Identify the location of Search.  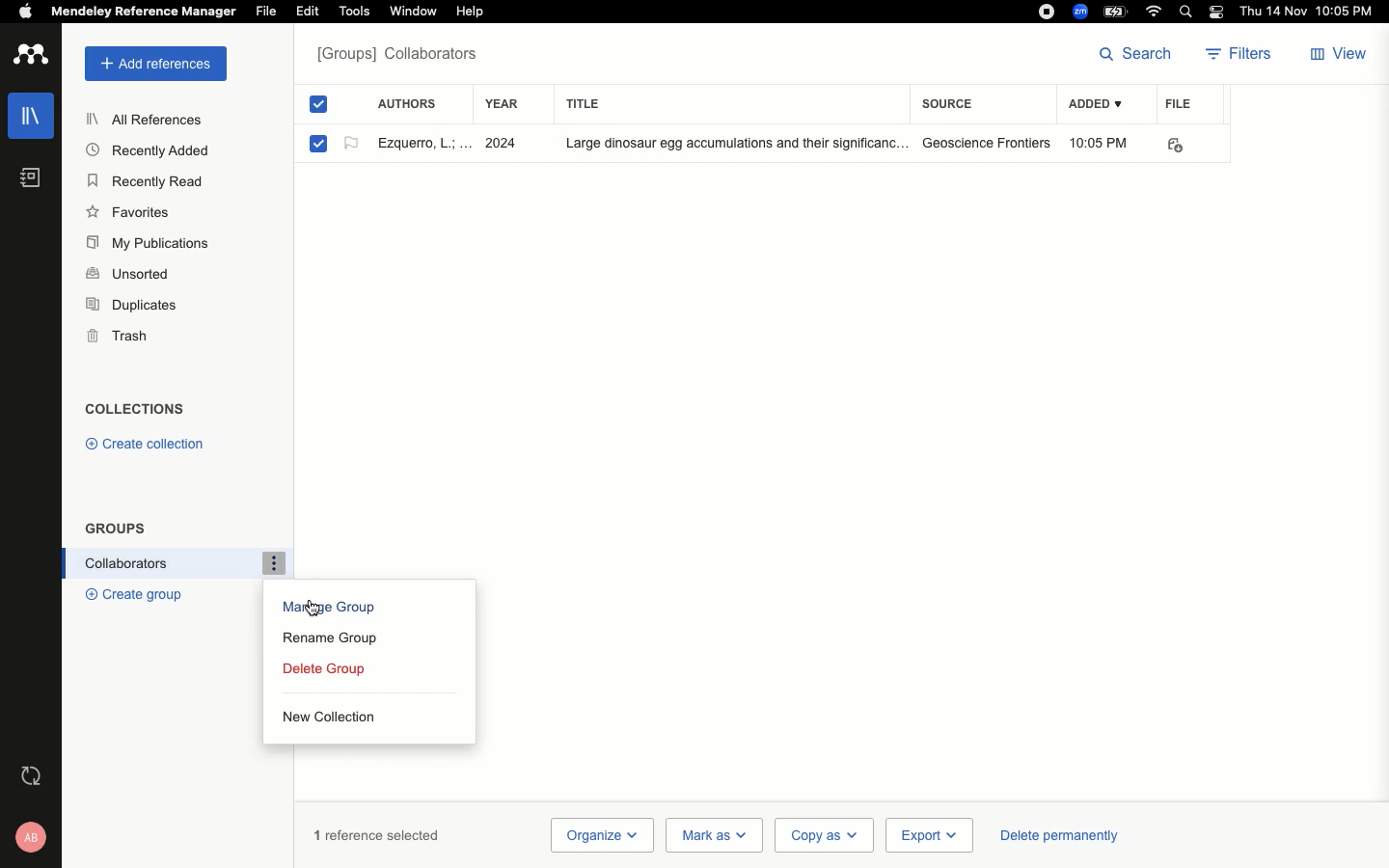
(1188, 14).